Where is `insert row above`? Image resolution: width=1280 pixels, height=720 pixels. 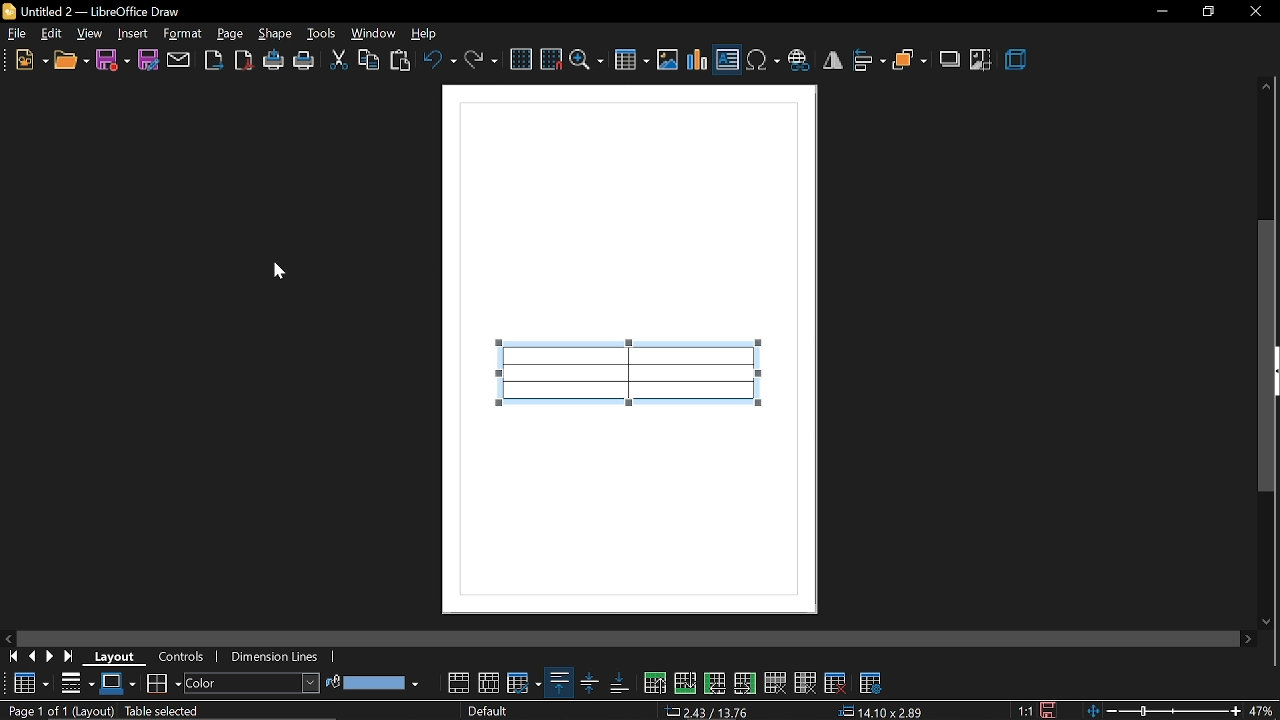 insert row above is located at coordinates (685, 683).